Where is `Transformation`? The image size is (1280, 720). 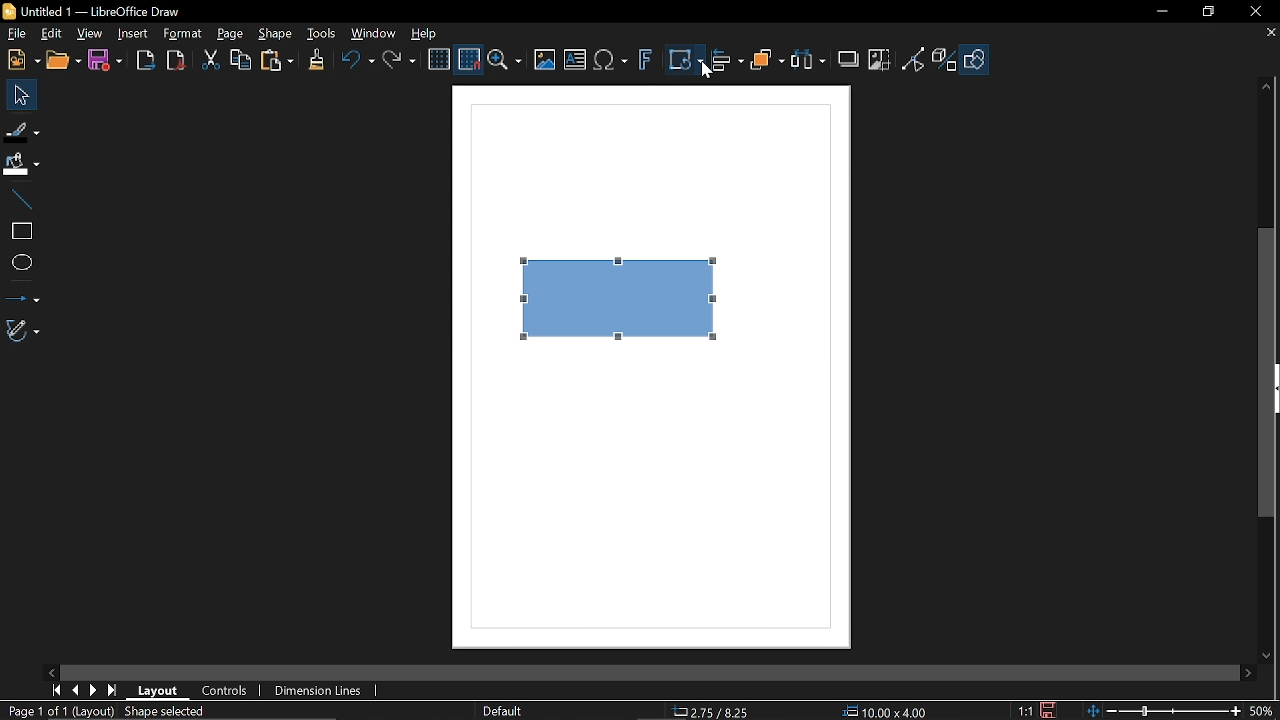 Transformation is located at coordinates (685, 62).